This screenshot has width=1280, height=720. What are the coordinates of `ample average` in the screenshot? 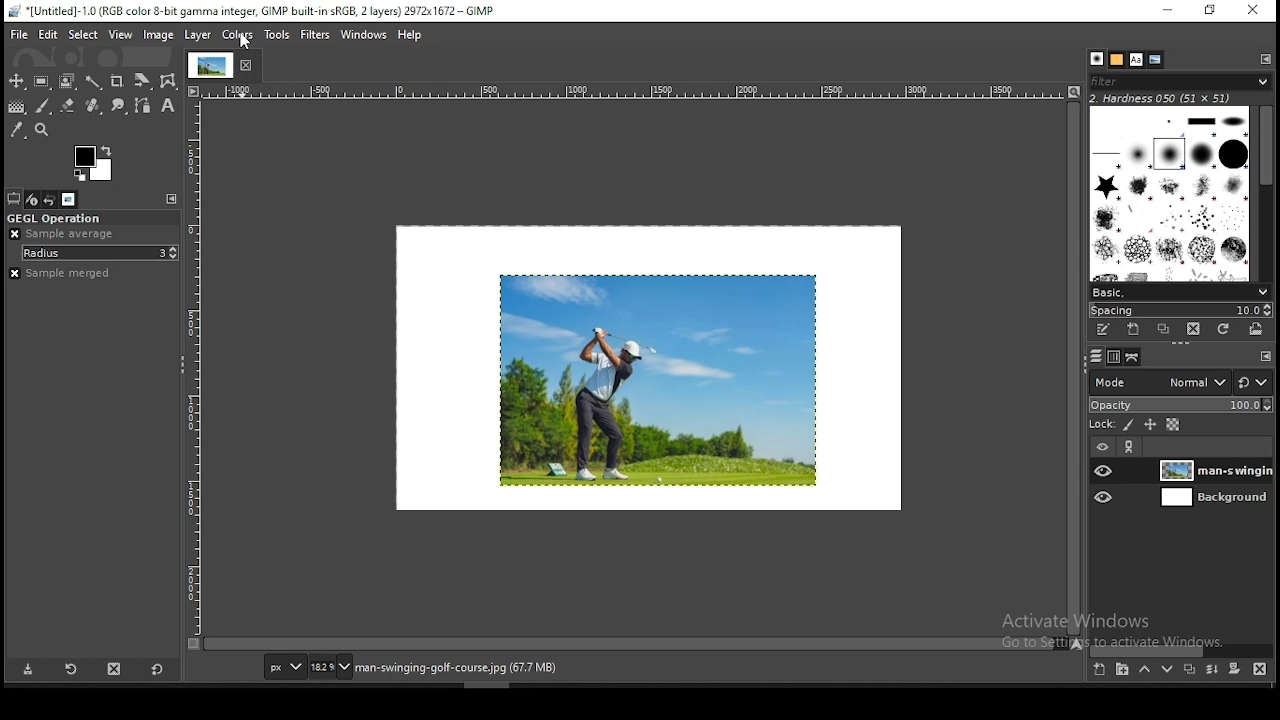 It's located at (63, 233).